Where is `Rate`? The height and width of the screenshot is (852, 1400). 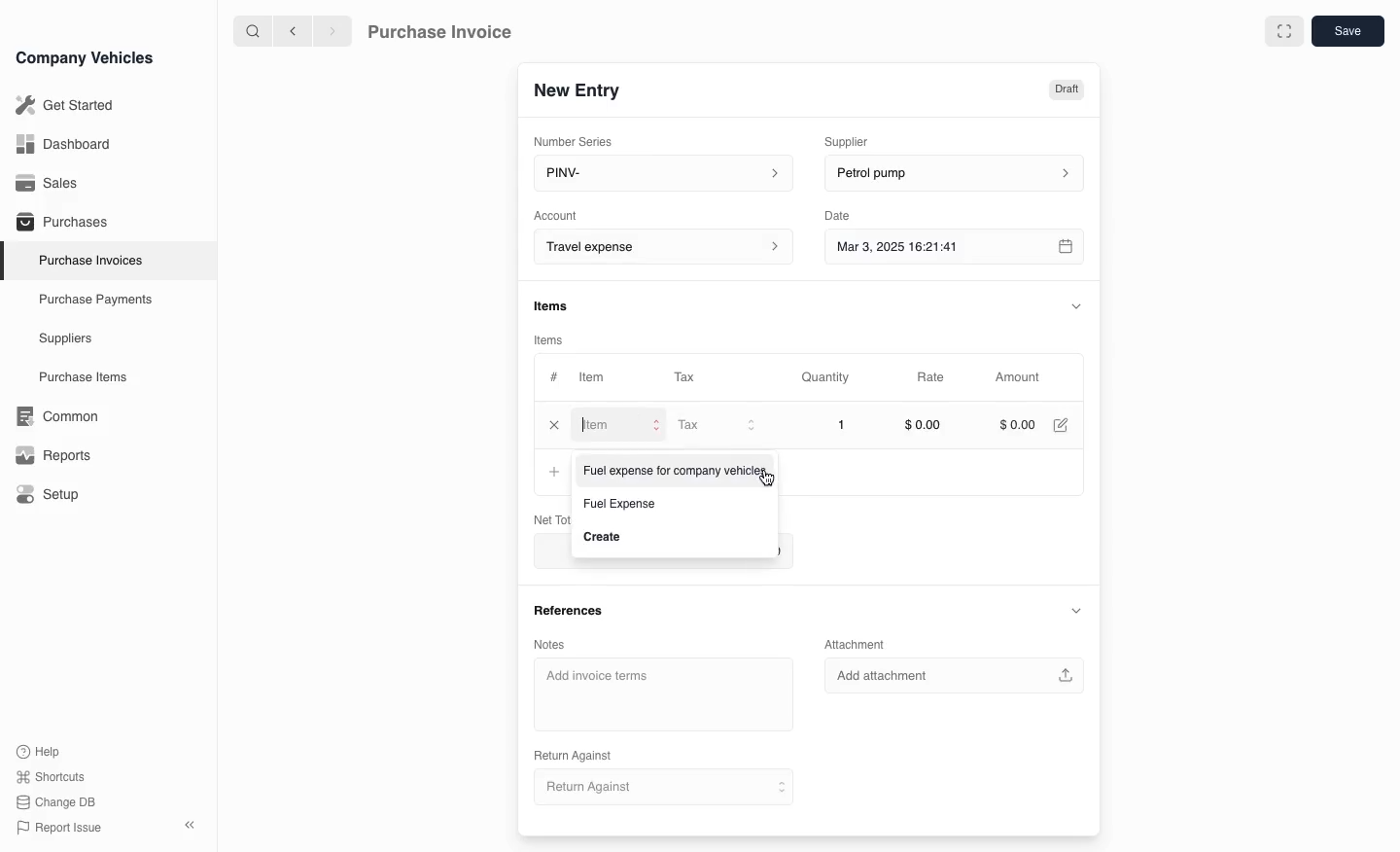 Rate is located at coordinates (932, 377).